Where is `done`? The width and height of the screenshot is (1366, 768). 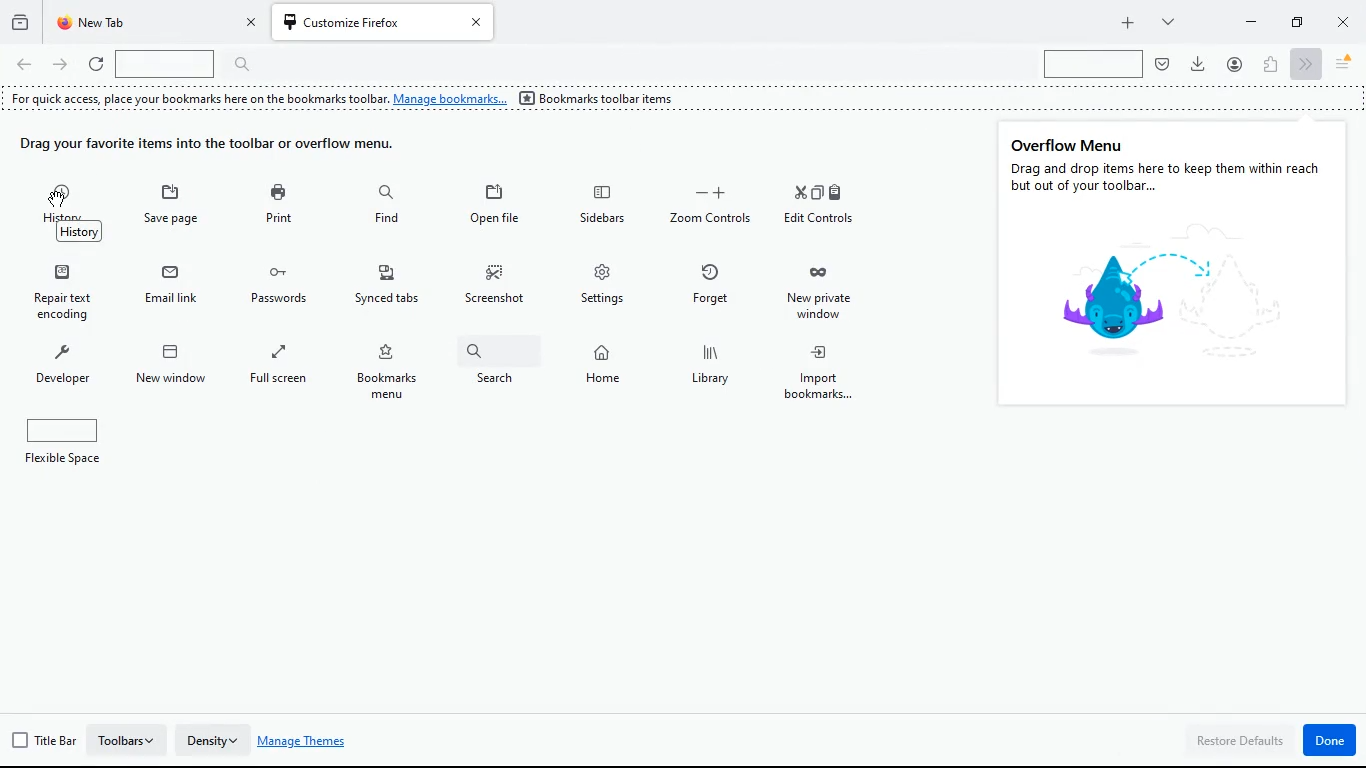 done is located at coordinates (1331, 740).